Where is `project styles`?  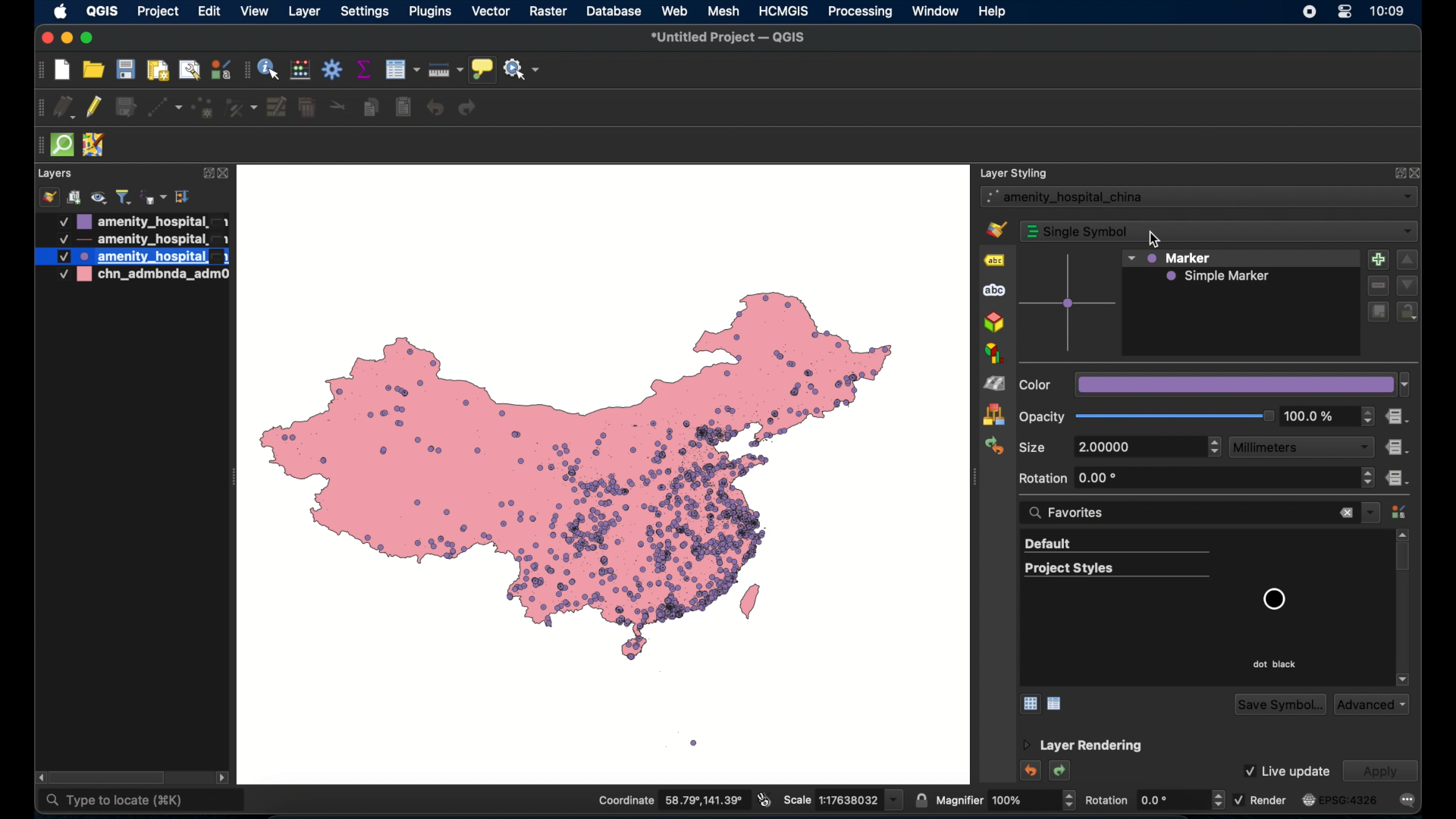 project styles is located at coordinates (1117, 570).